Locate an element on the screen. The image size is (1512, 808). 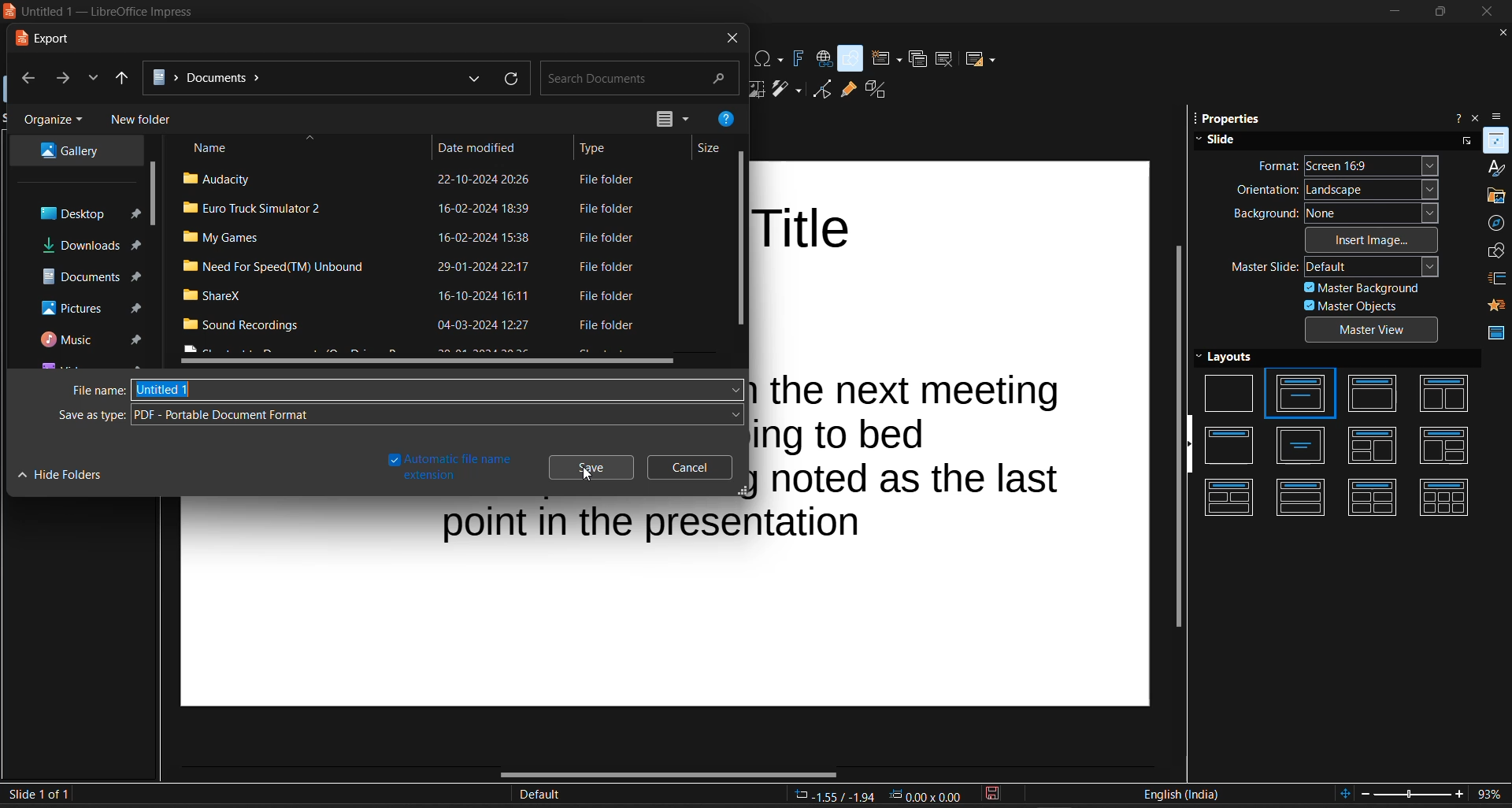
master objects is located at coordinates (1372, 305).